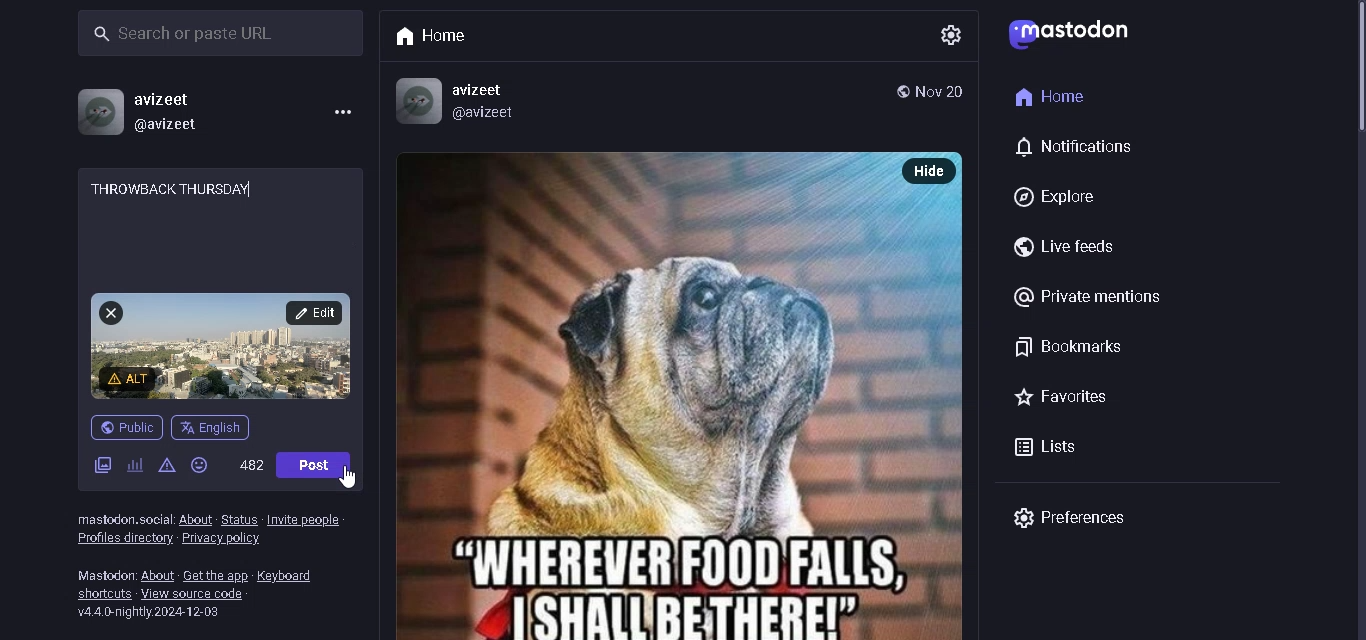  Describe the element at coordinates (127, 428) in the screenshot. I see `public` at that location.